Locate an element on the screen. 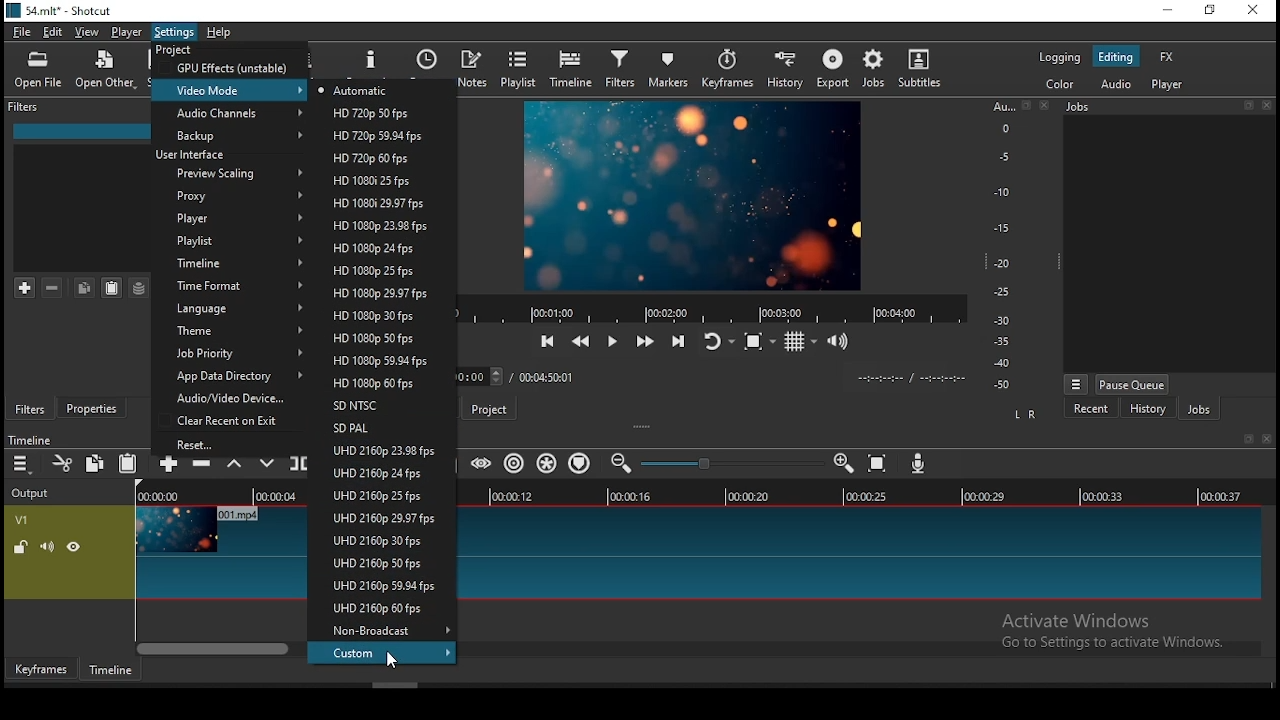 Image resolution: width=1280 pixels, height=720 pixels. Go to settings to active Windows. is located at coordinates (1111, 646).